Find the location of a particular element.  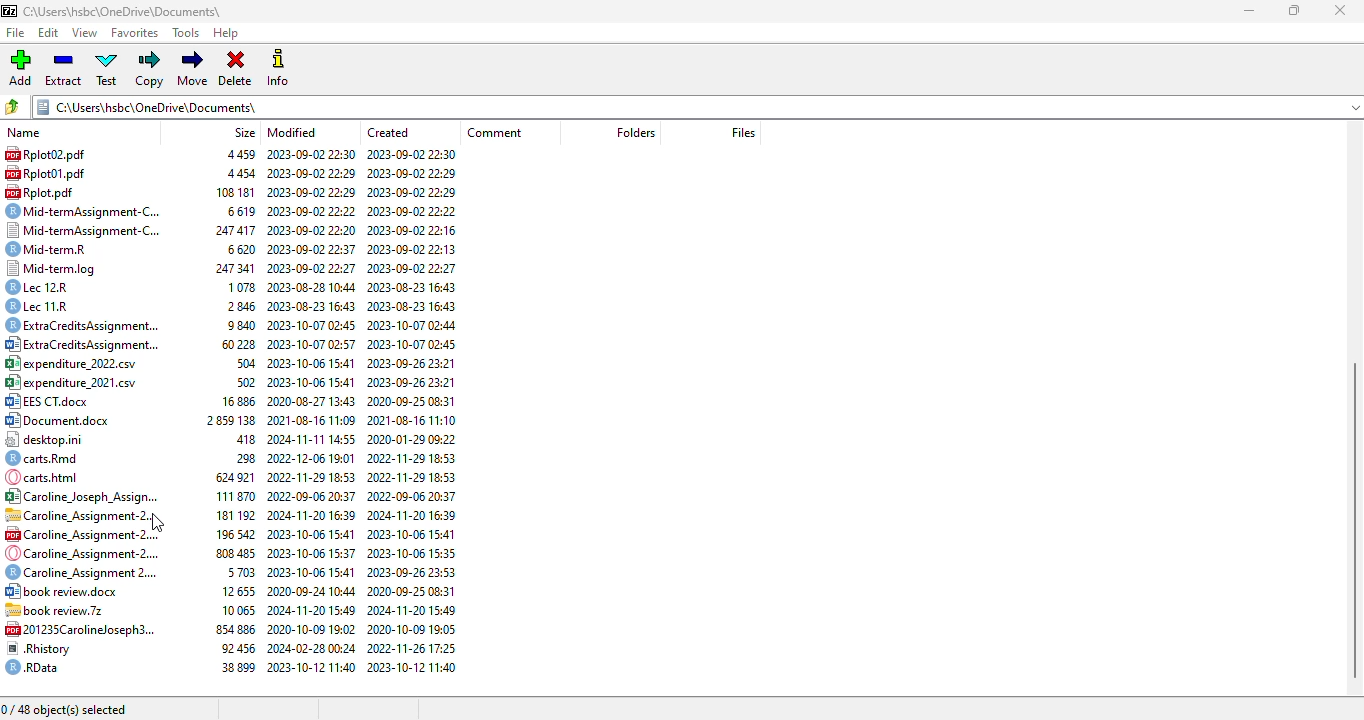

2003-10-06 15:41 is located at coordinates (312, 533).